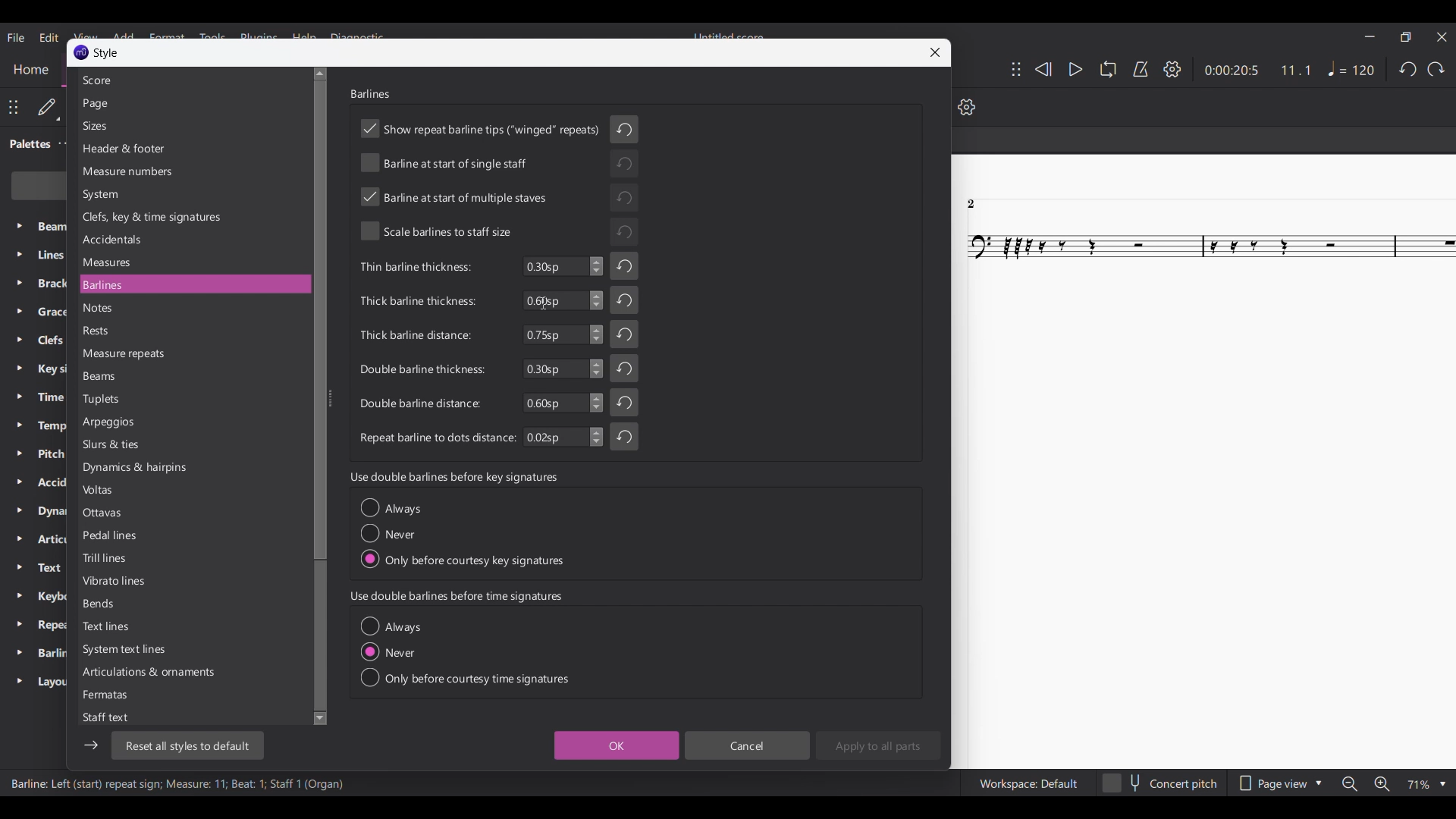  Describe the element at coordinates (1382, 783) in the screenshot. I see `Zoom in` at that location.